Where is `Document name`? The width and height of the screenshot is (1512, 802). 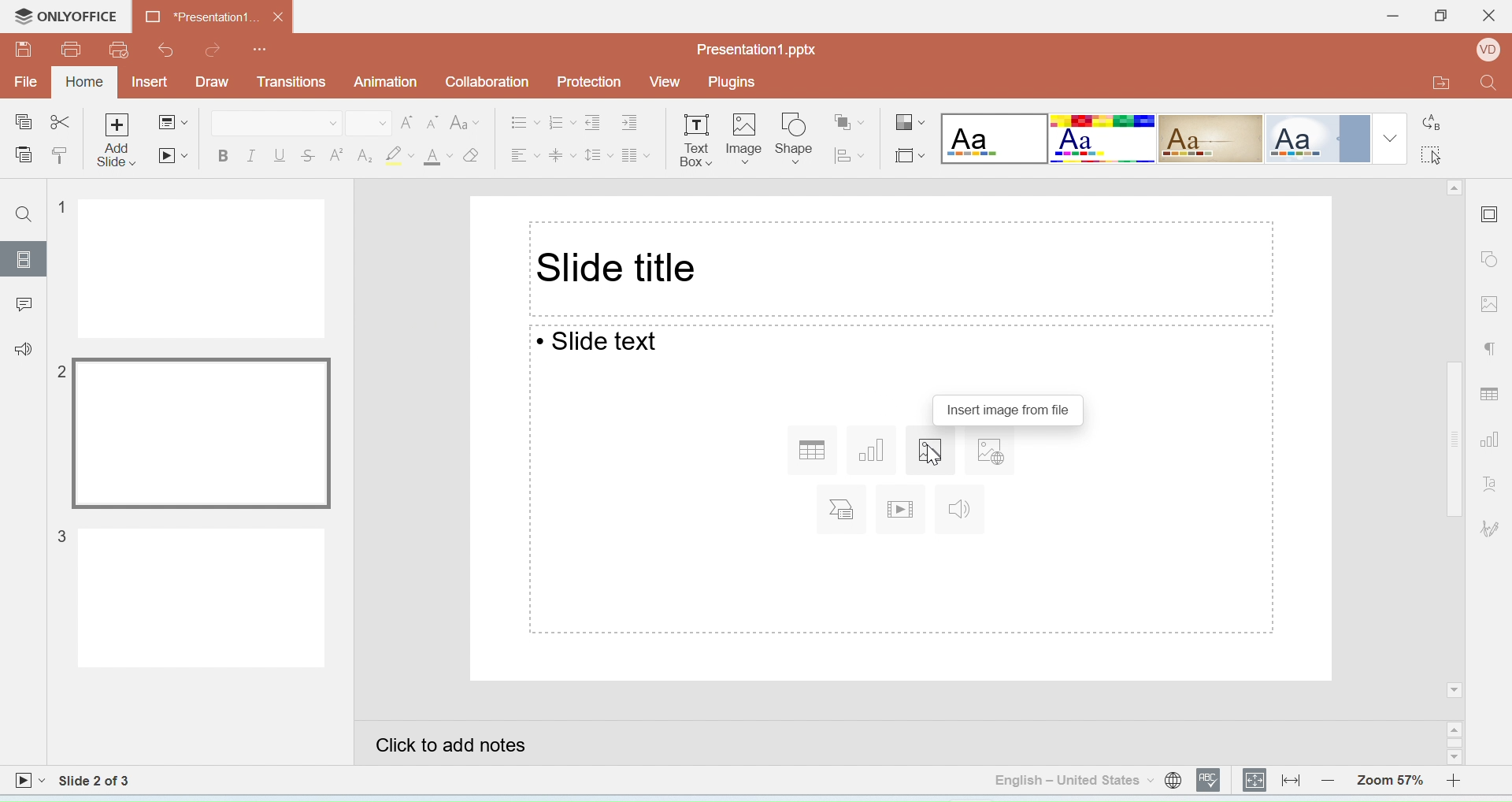 Document name is located at coordinates (213, 16).